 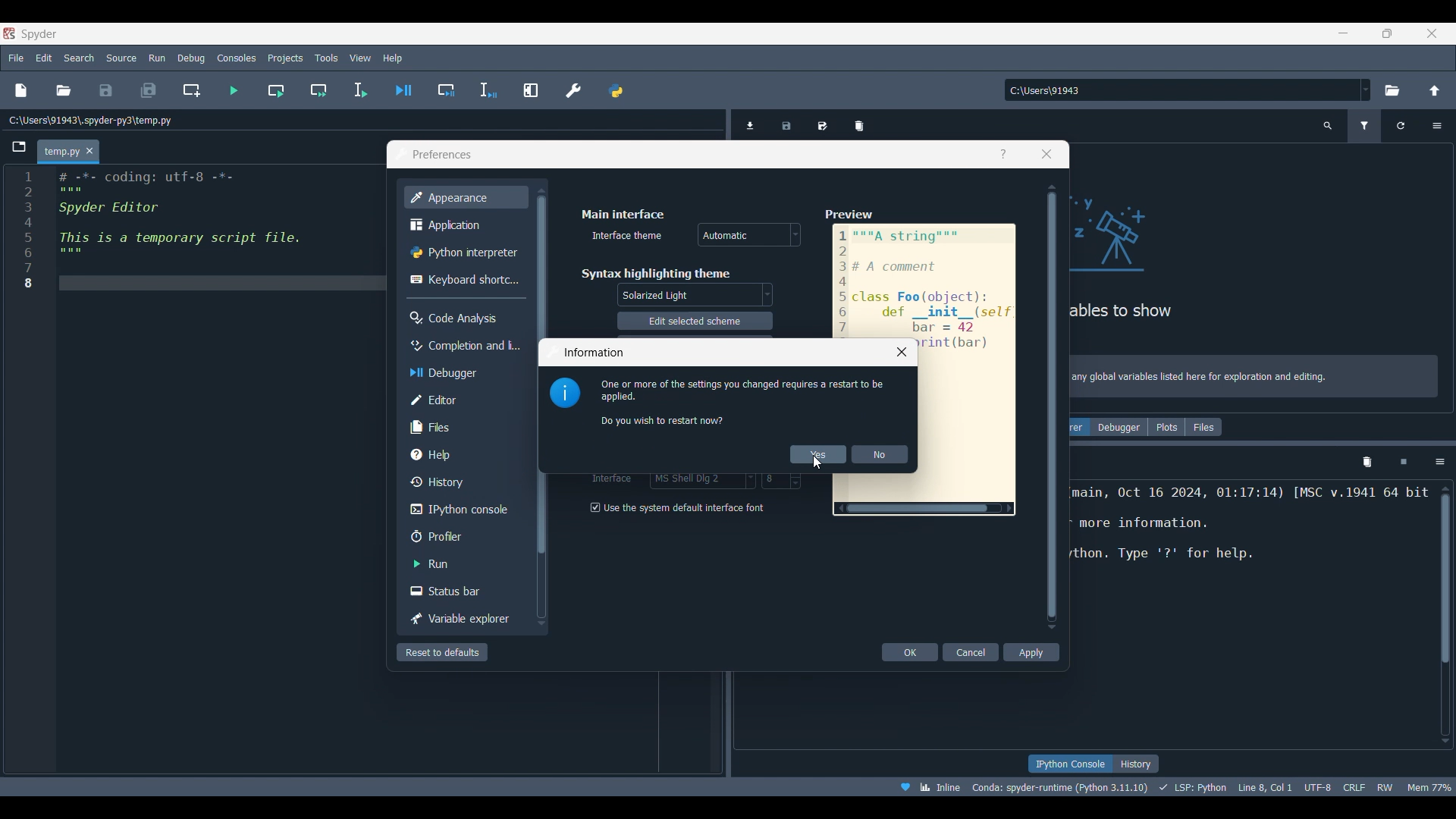 I want to click on IPython console, so click(x=1068, y=764).